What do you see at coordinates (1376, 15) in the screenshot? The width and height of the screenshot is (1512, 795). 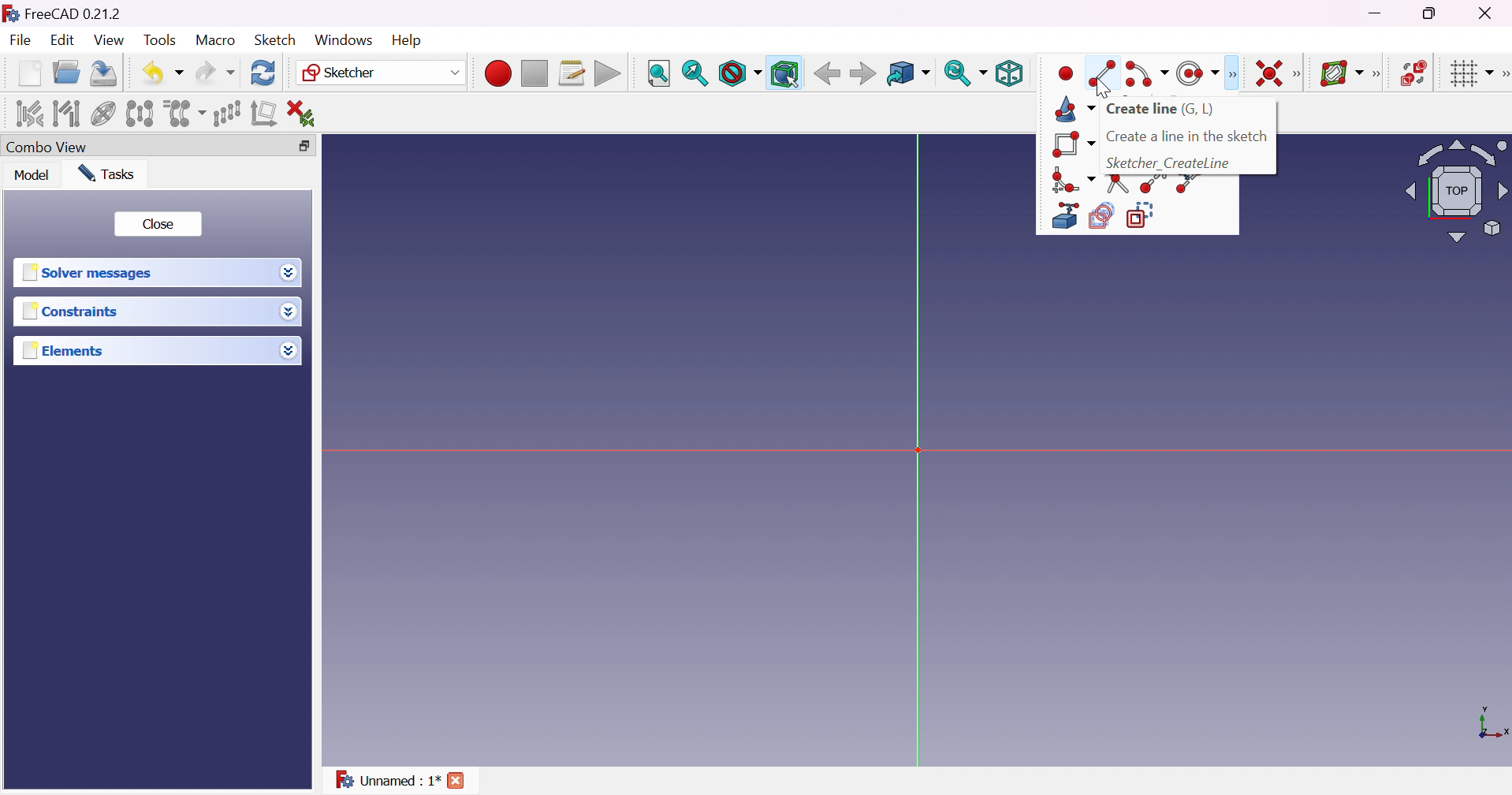 I see `Minimize` at bounding box center [1376, 15].